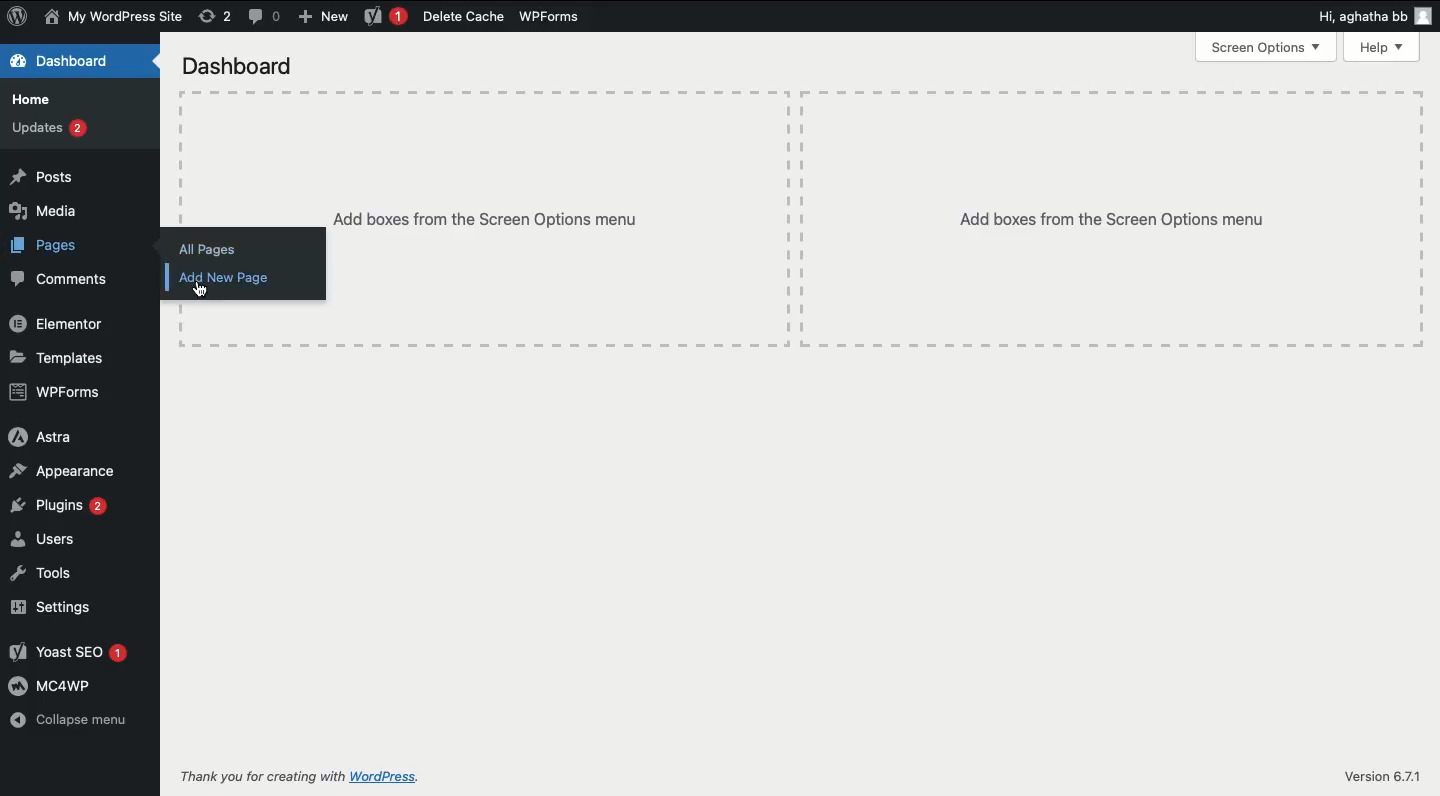 This screenshot has width=1440, height=796. Describe the element at coordinates (50, 607) in the screenshot. I see `Settings` at that location.